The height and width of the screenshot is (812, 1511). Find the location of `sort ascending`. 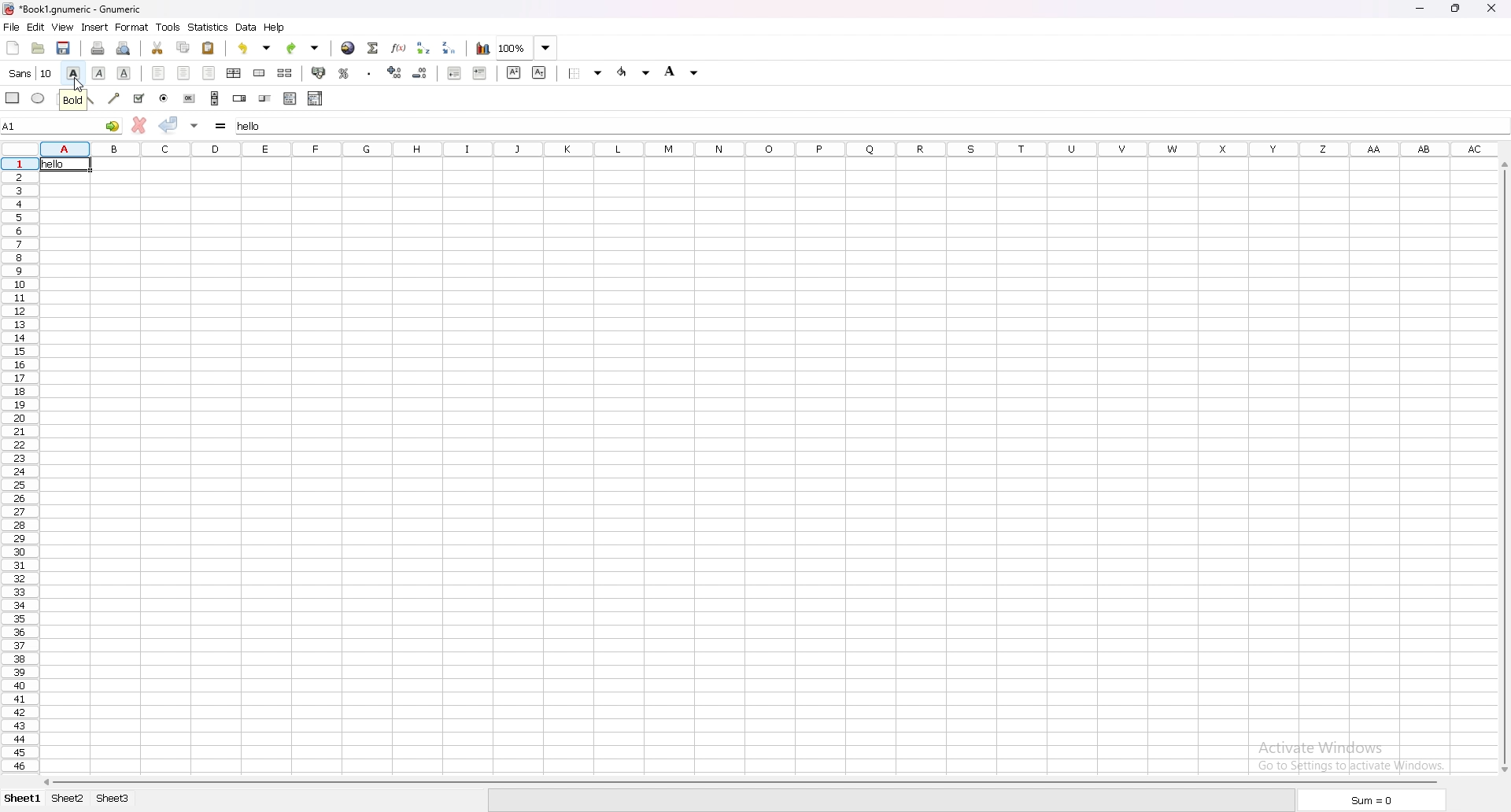

sort ascending is located at coordinates (423, 48).